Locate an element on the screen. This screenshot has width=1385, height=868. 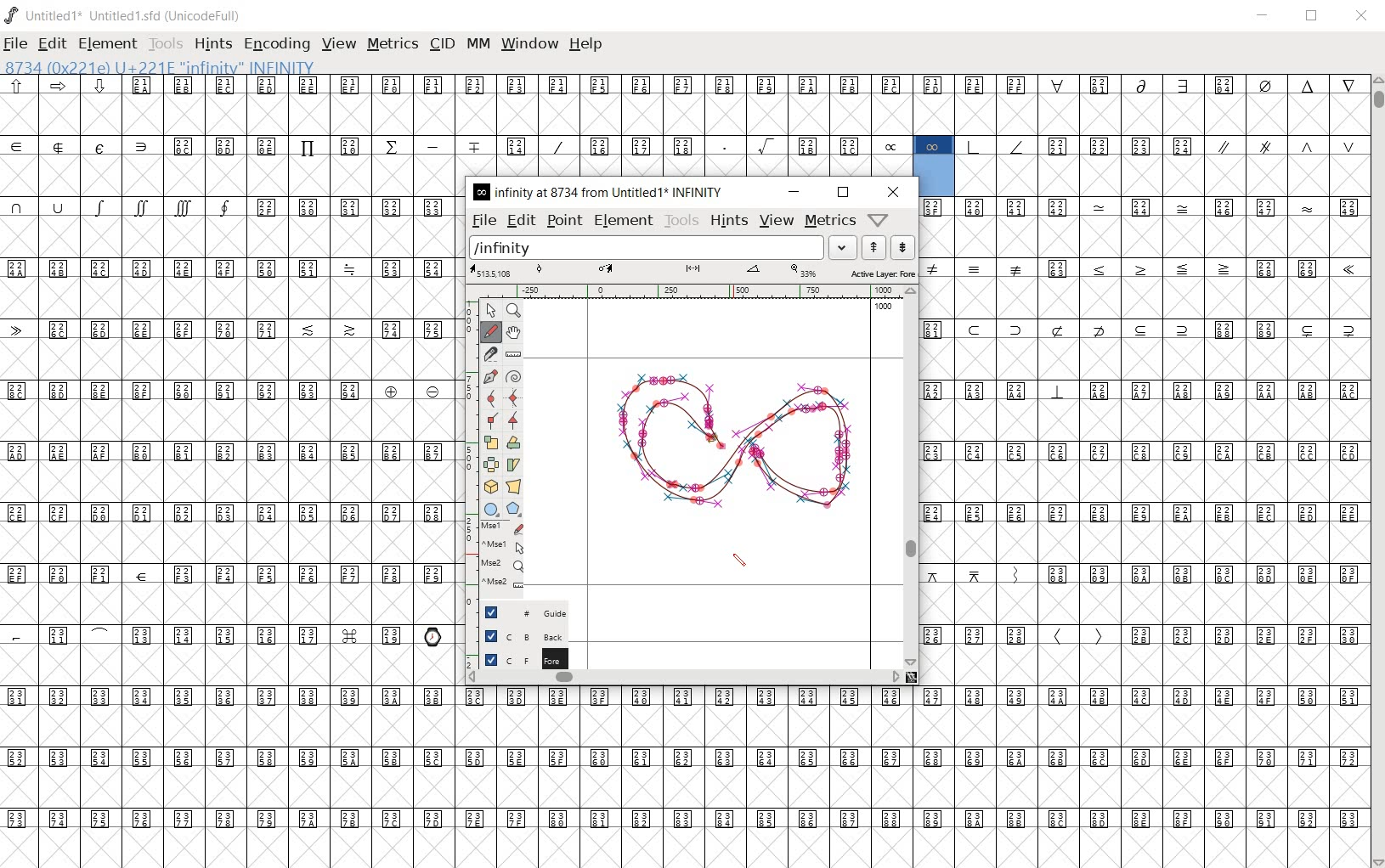
selected glyph slot is located at coordinates (935, 176).